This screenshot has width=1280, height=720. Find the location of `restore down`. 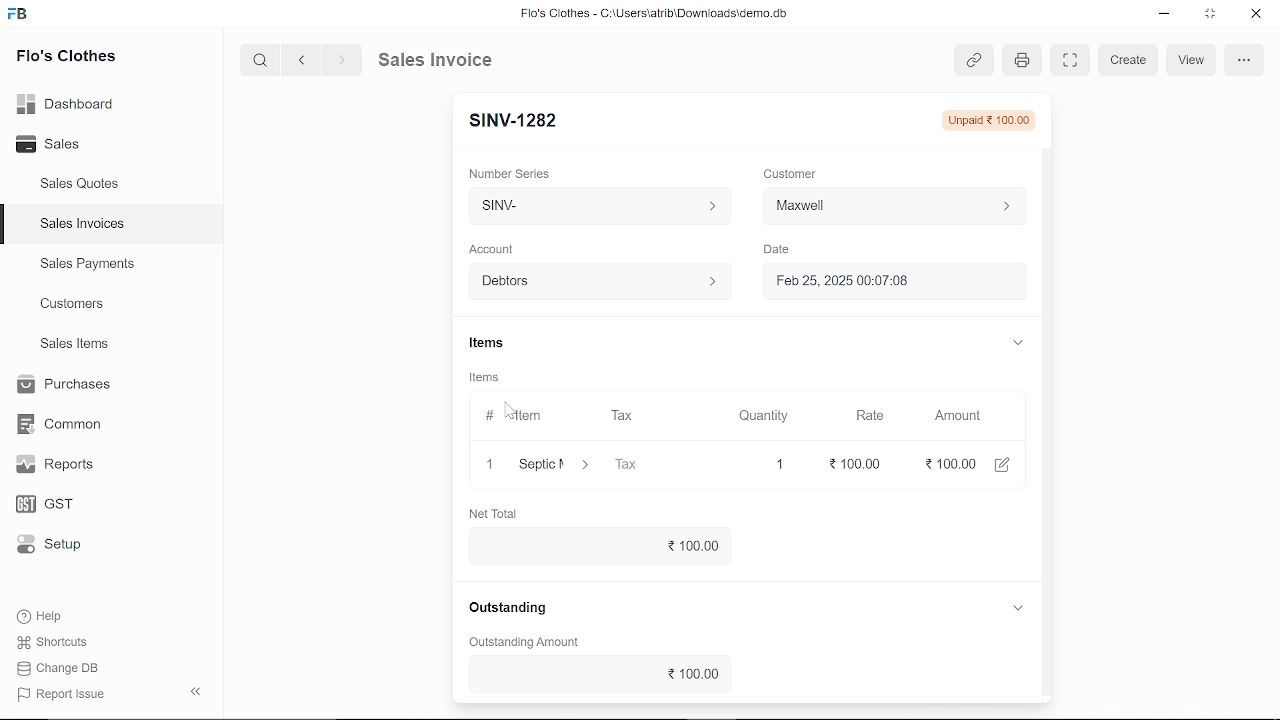

restore down is located at coordinates (1207, 13).